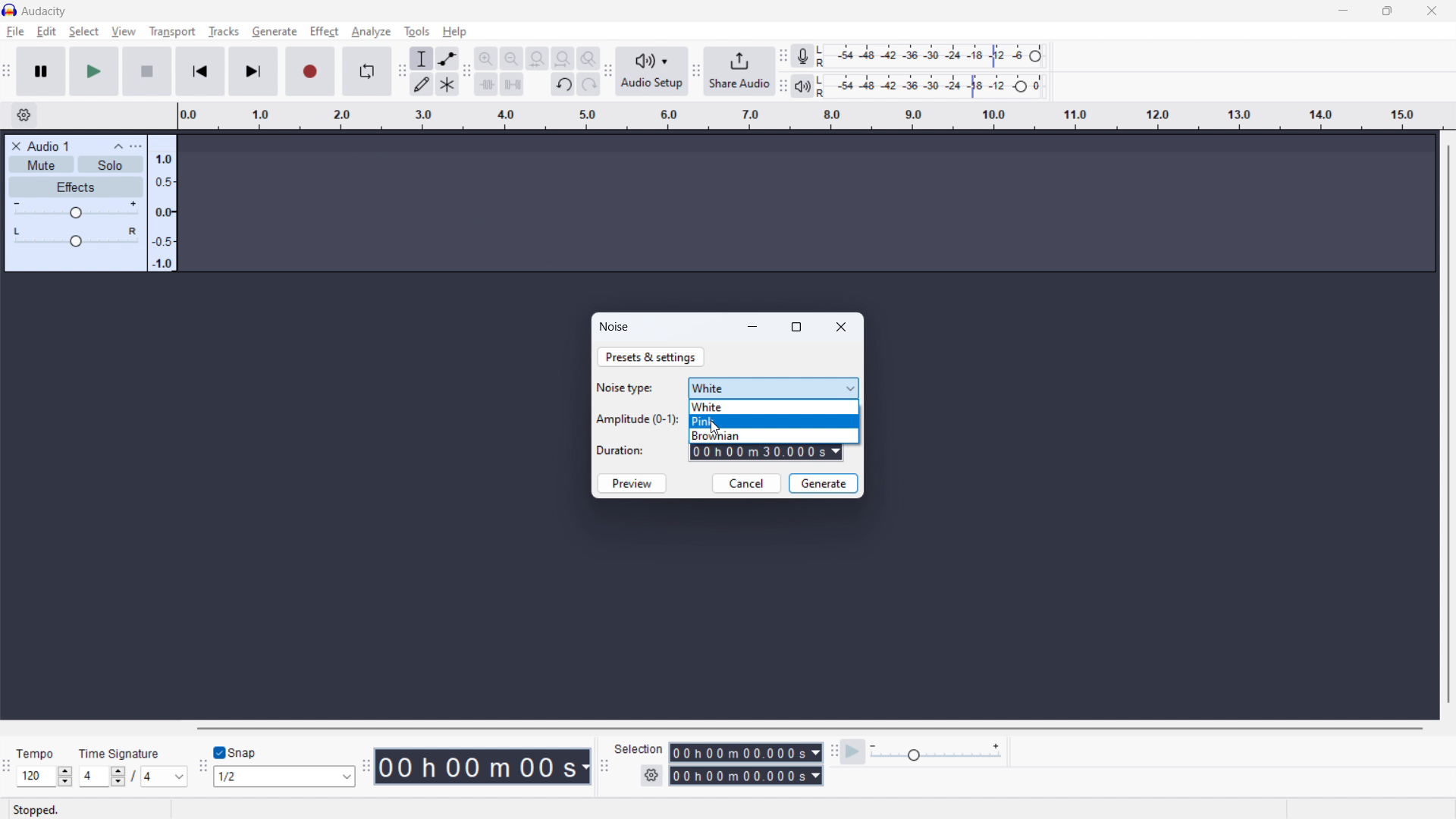 This screenshot has height=819, width=1456. What do you see at coordinates (49, 146) in the screenshot?
I see `track title` at bounding box center [49, 146].